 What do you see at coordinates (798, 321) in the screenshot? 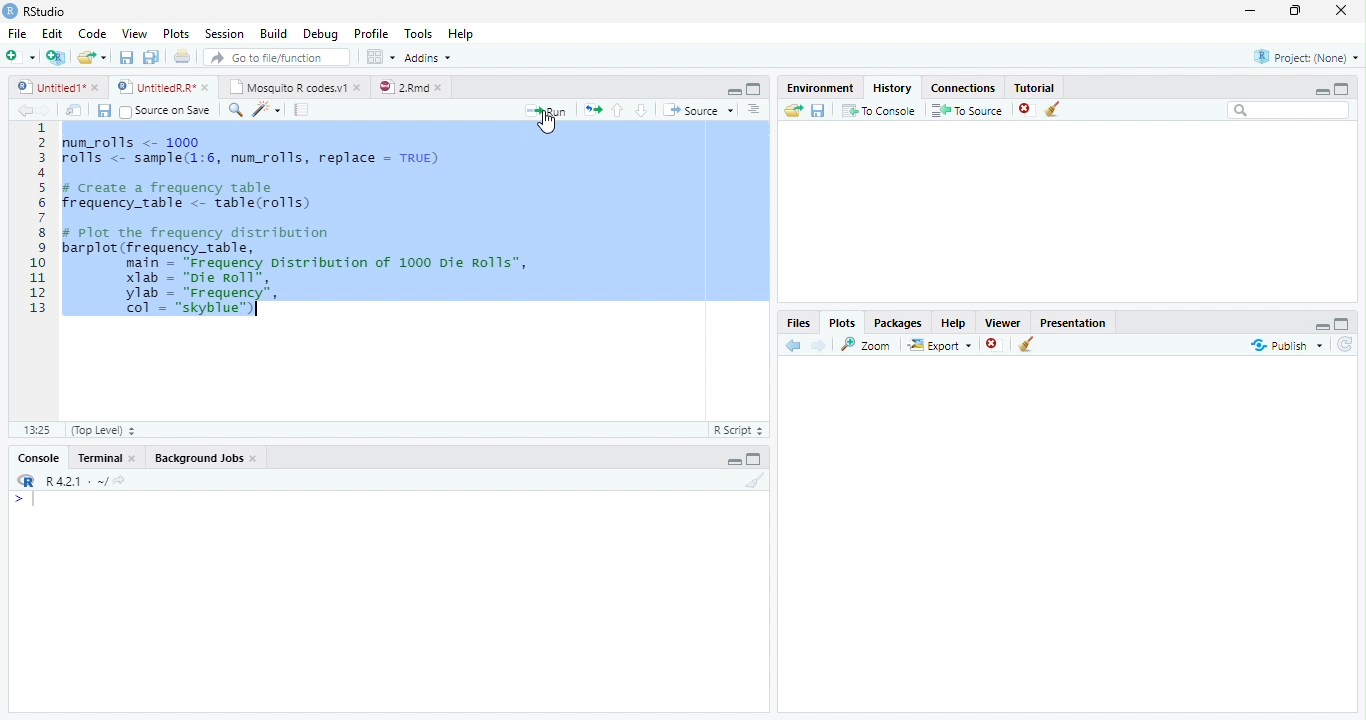
I see `Files` at bounding box center [798, 321].